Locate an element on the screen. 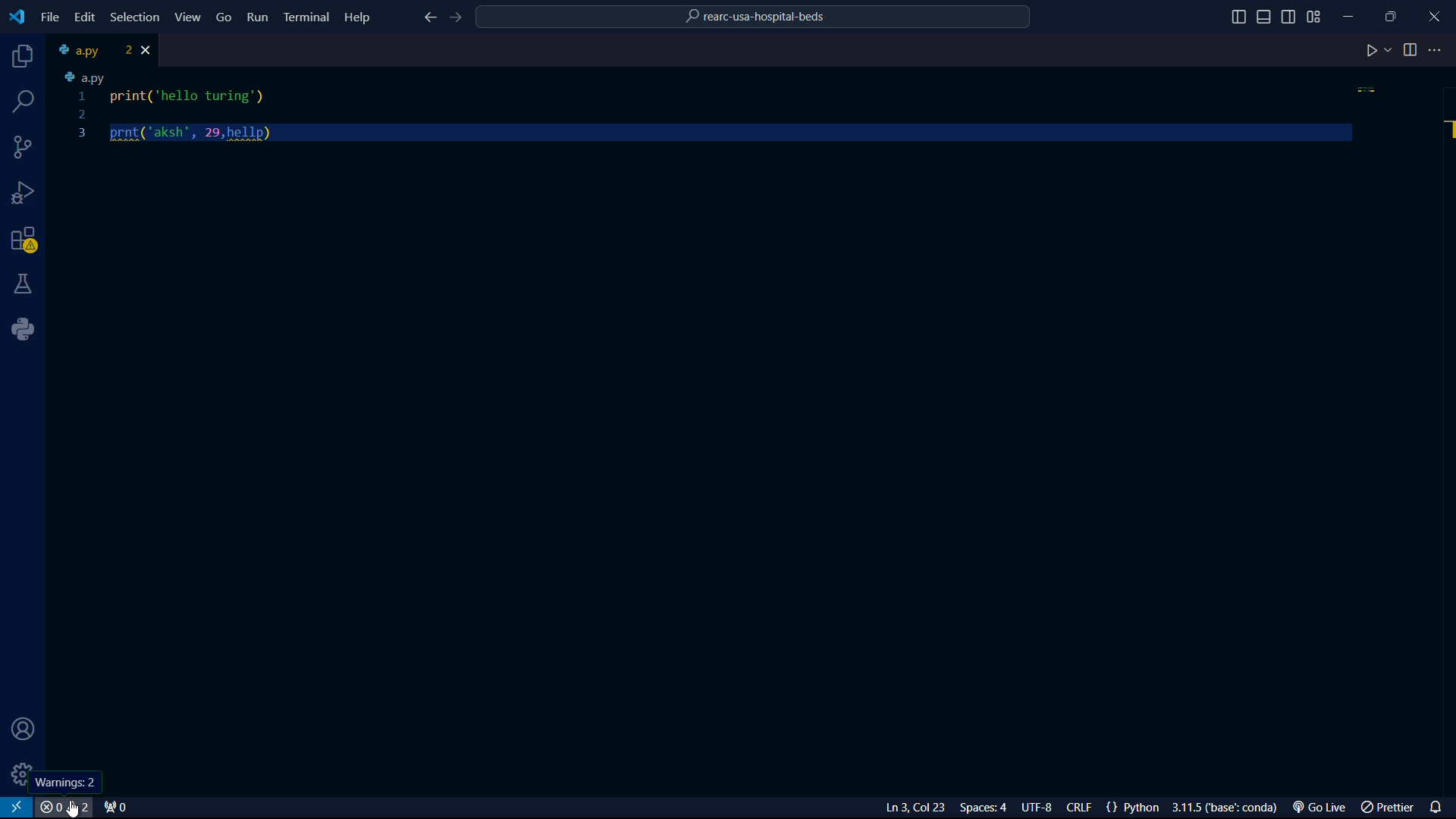  close is located at coordinates (66, 808).